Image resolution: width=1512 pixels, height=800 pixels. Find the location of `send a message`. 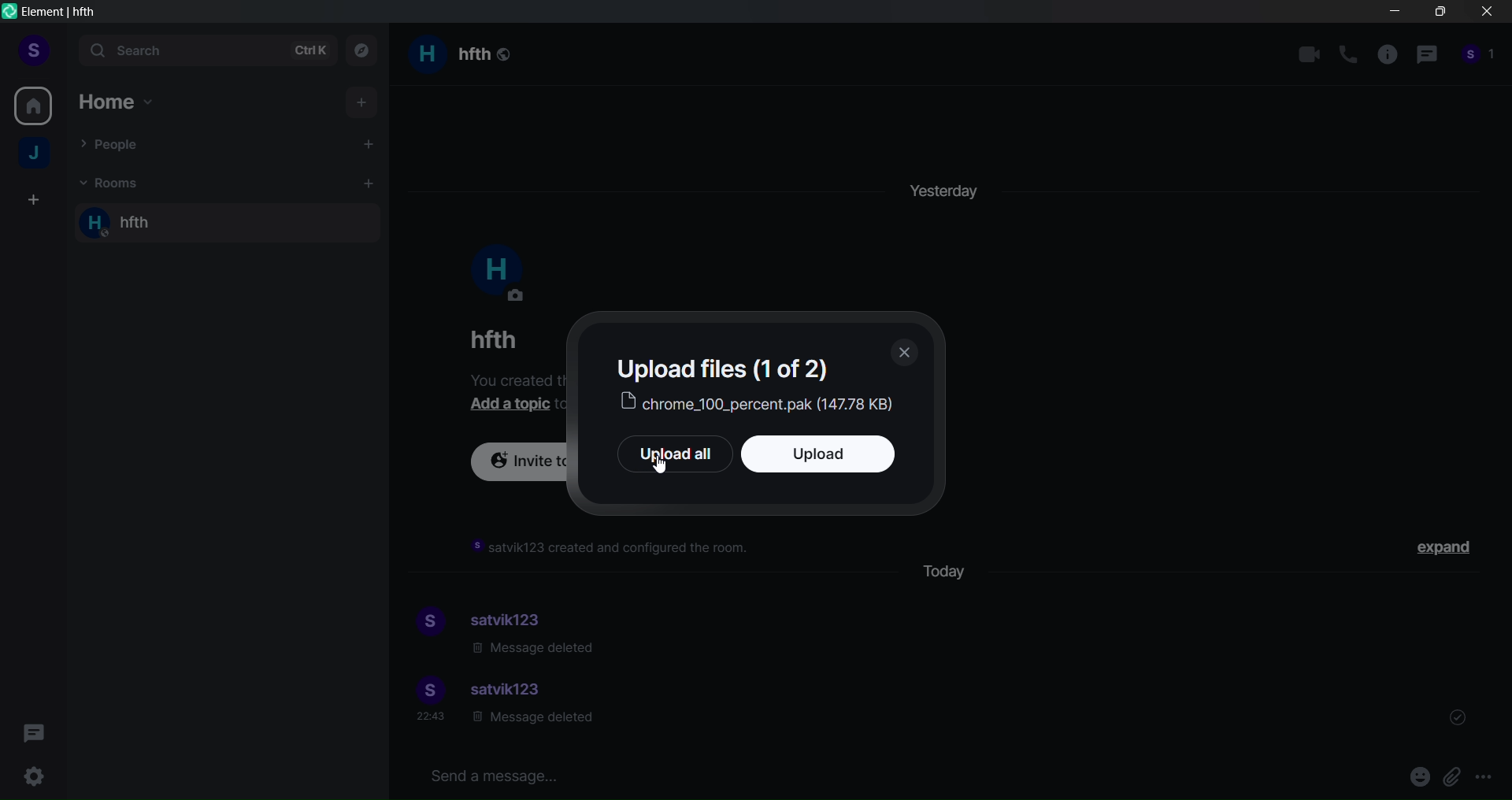

send a message is located at coordinates (862, 774).